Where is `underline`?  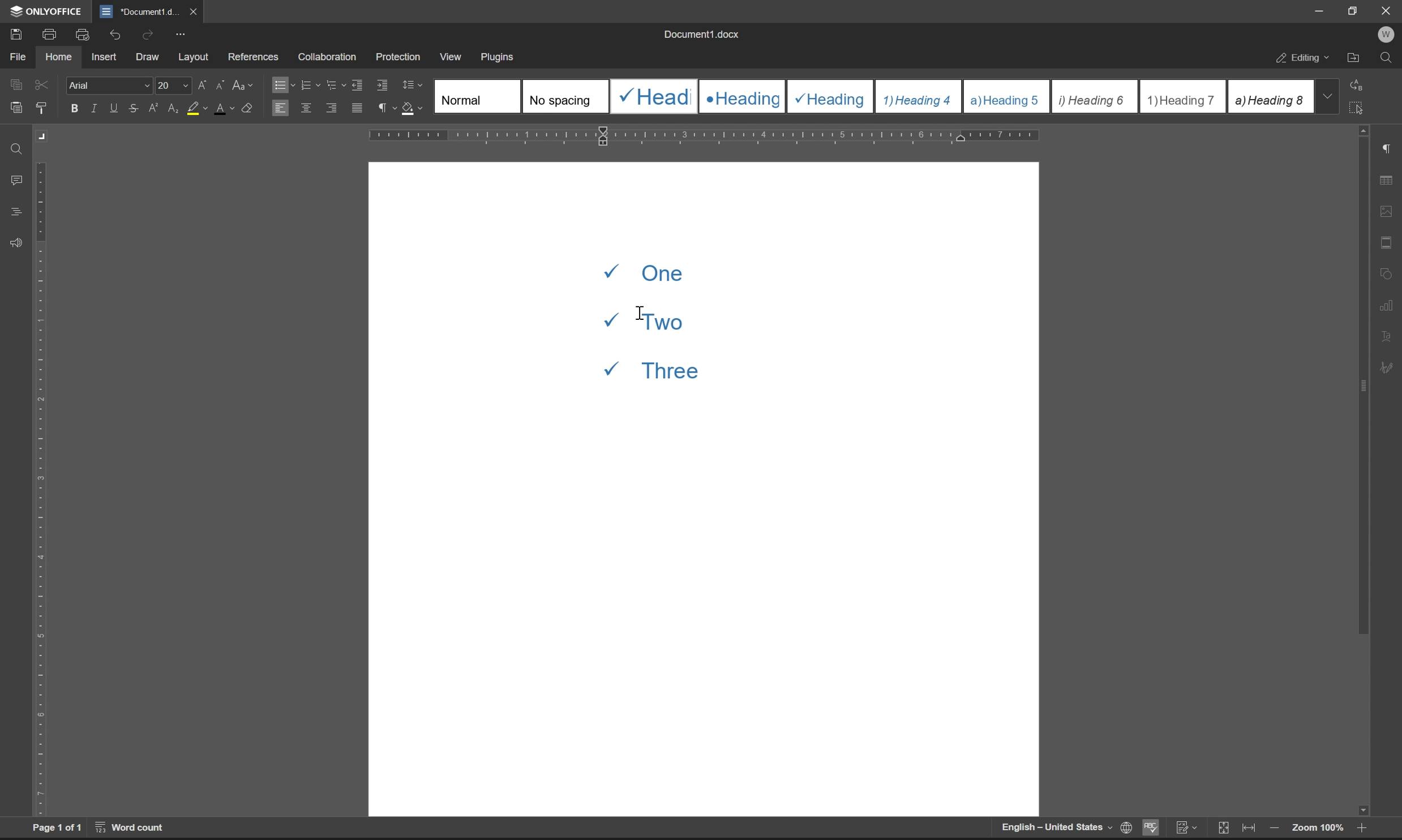 underline is located at coordinates (115, 108).